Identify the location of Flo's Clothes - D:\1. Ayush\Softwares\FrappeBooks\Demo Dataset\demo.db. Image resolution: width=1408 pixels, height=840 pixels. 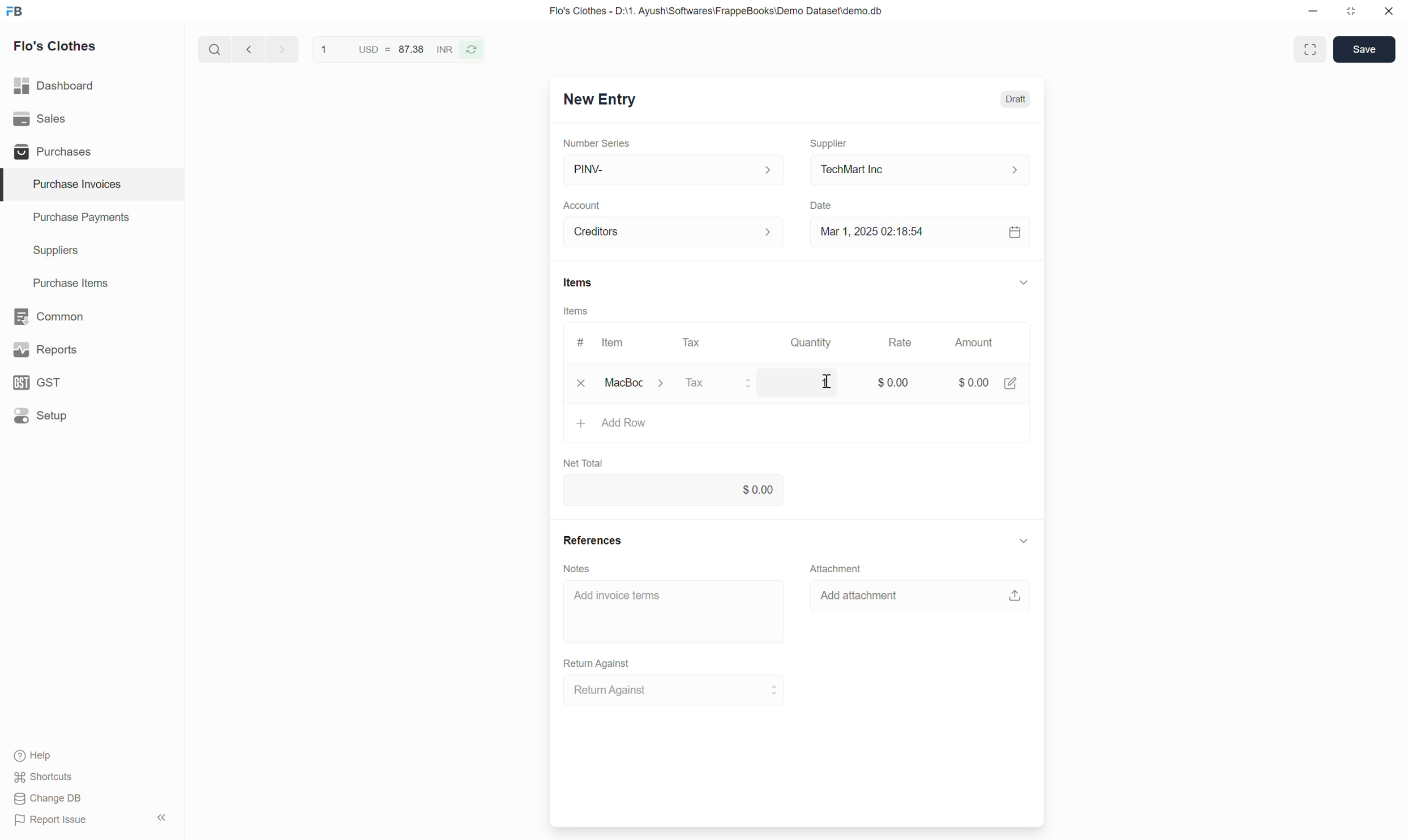
(716, 10).